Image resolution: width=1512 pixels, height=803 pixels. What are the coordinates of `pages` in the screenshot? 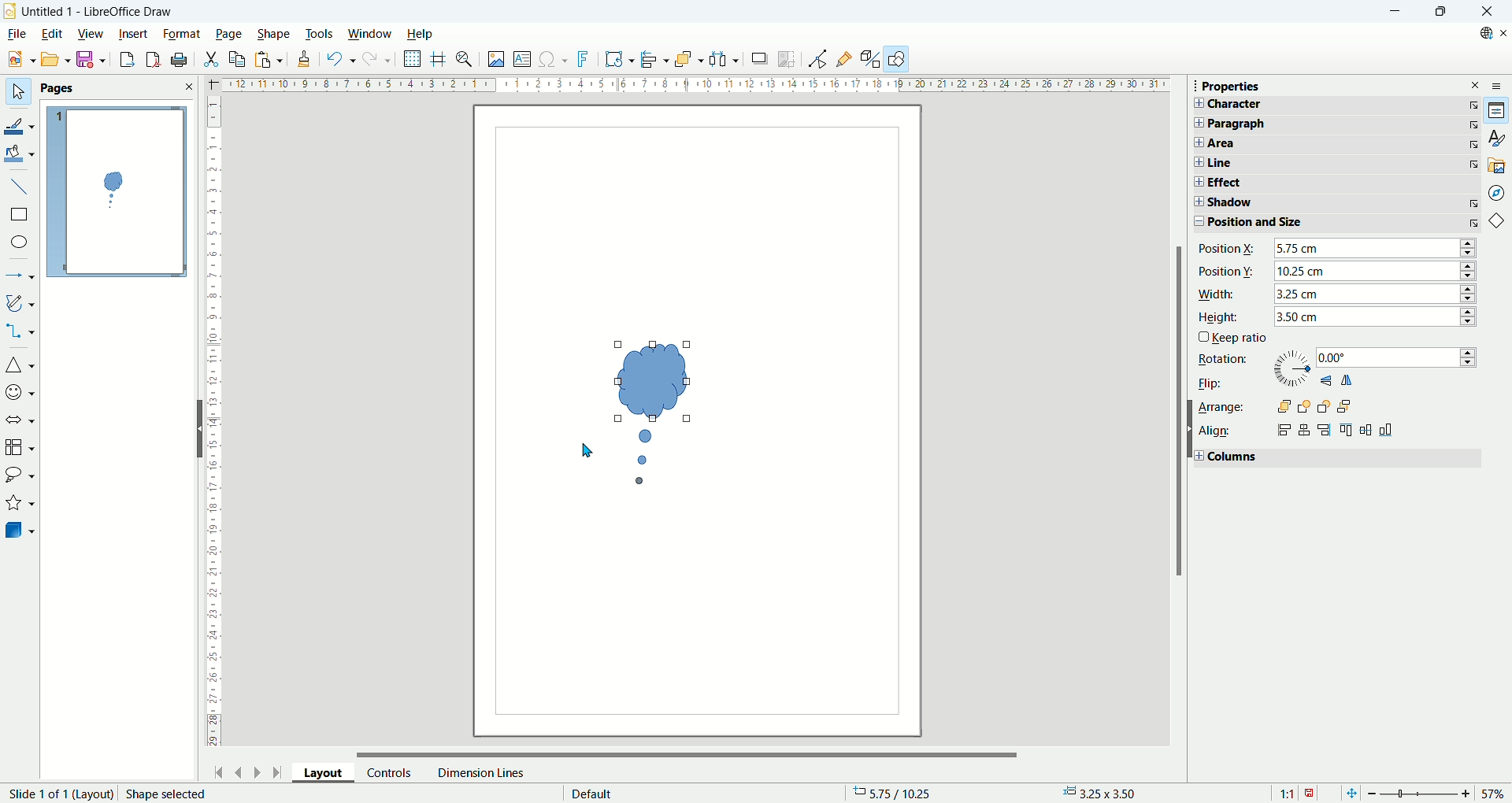 It's located at (117, 89).